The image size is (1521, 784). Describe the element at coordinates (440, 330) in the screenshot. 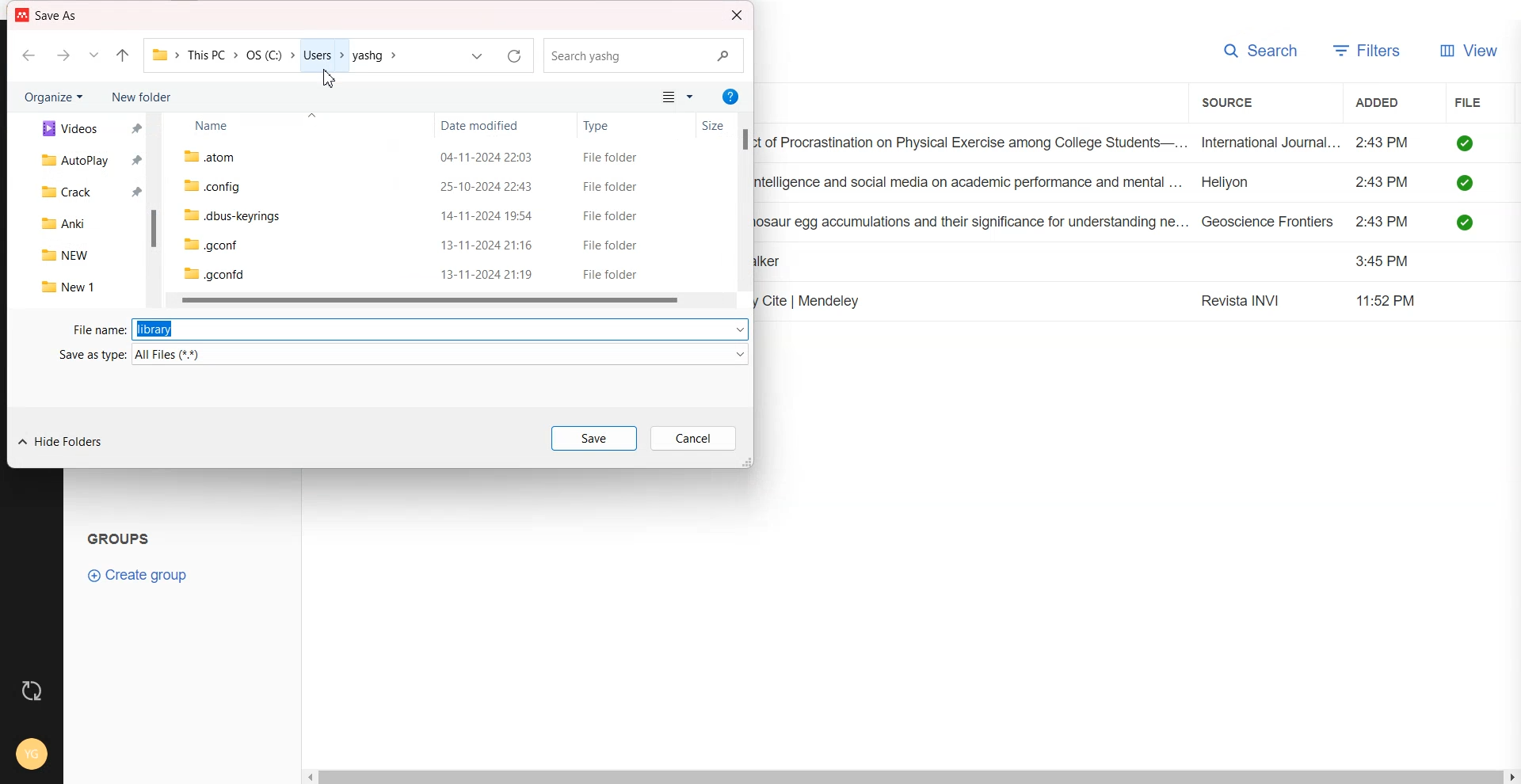

I see `library` at that location.